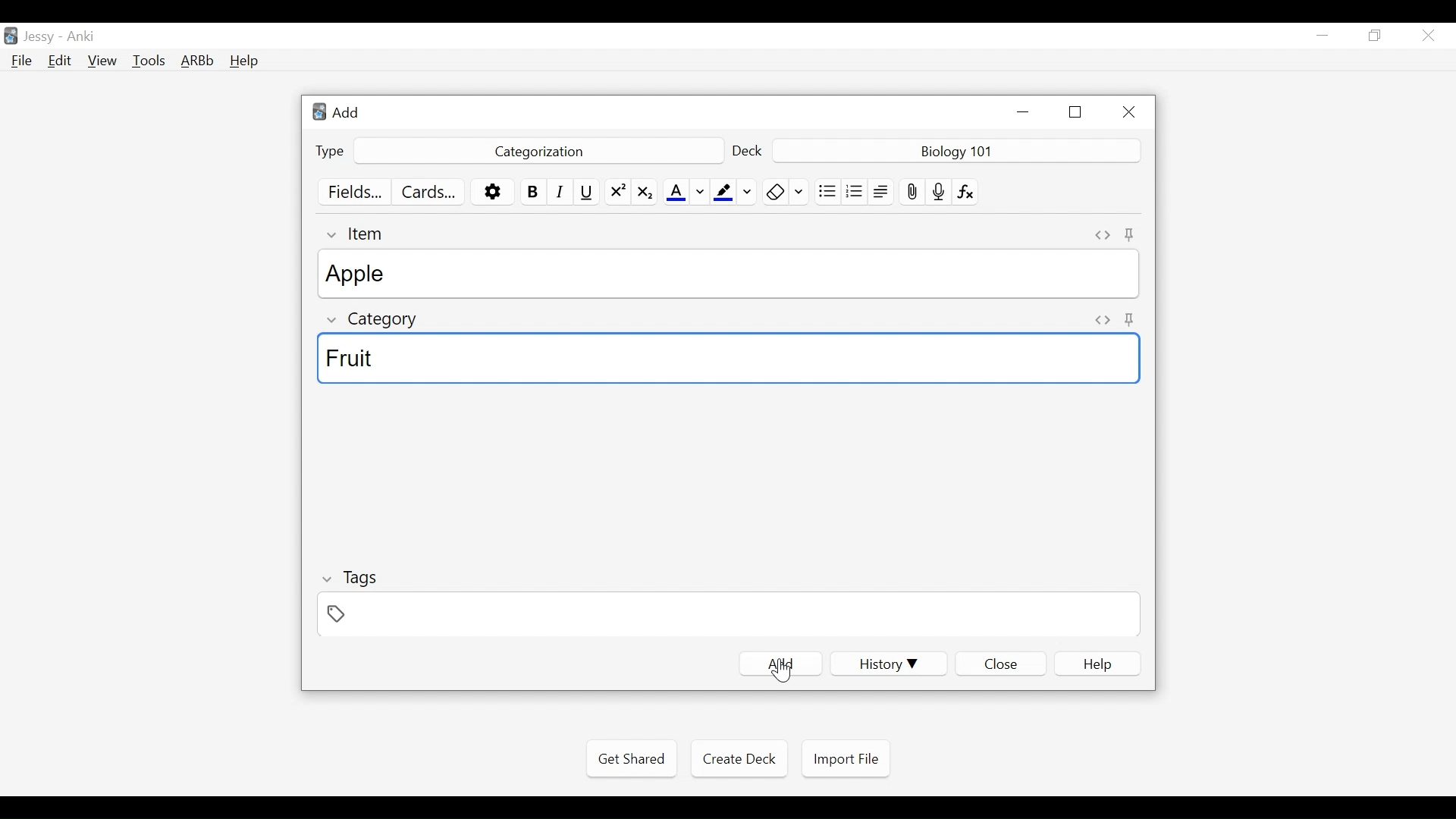  I want to click on Restore, so click(1076, 112).